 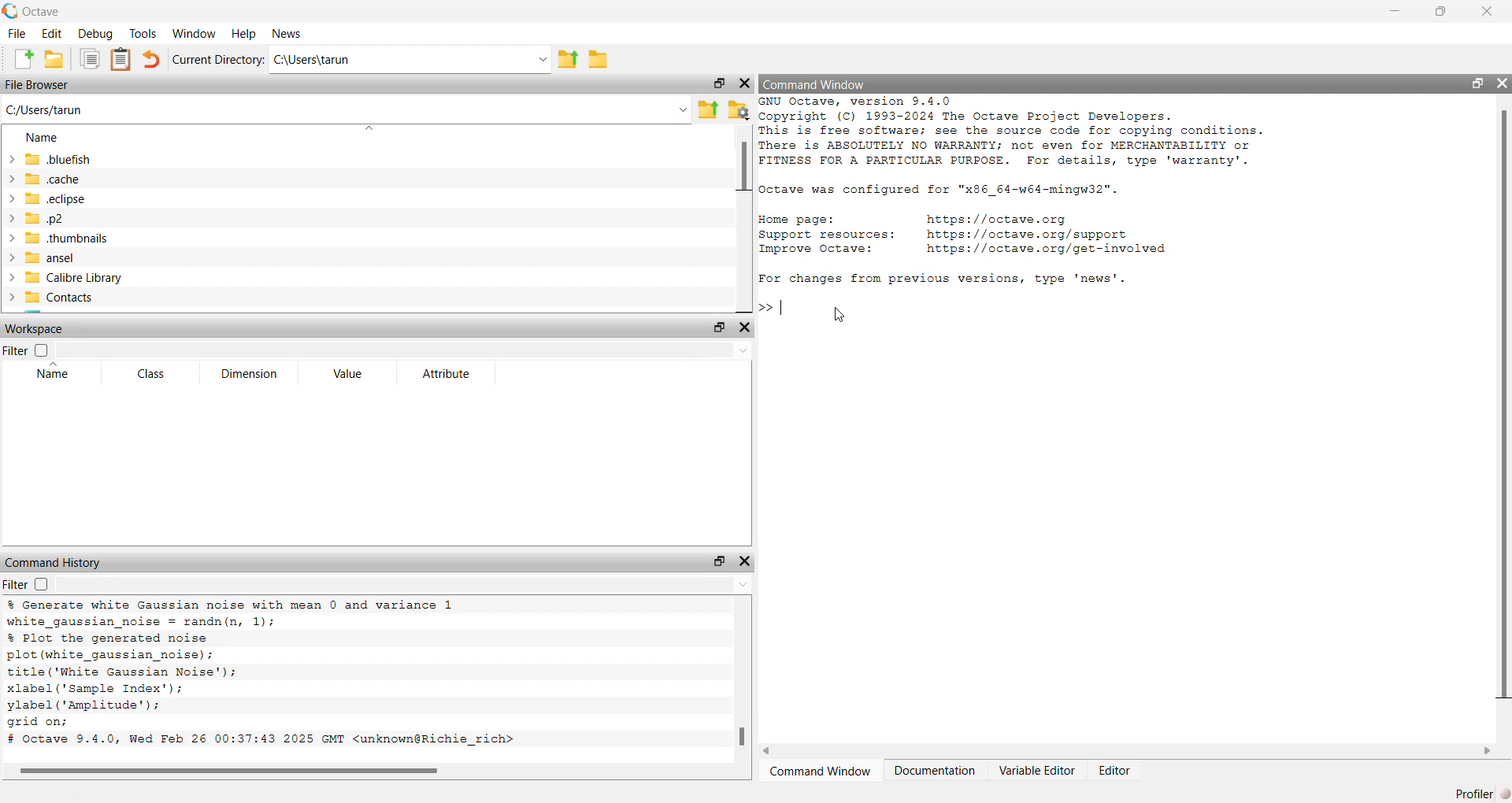 What do you see at coordinates (837, 316) in the screenshot?
I see `cursor` at bounding box center [837, 316].